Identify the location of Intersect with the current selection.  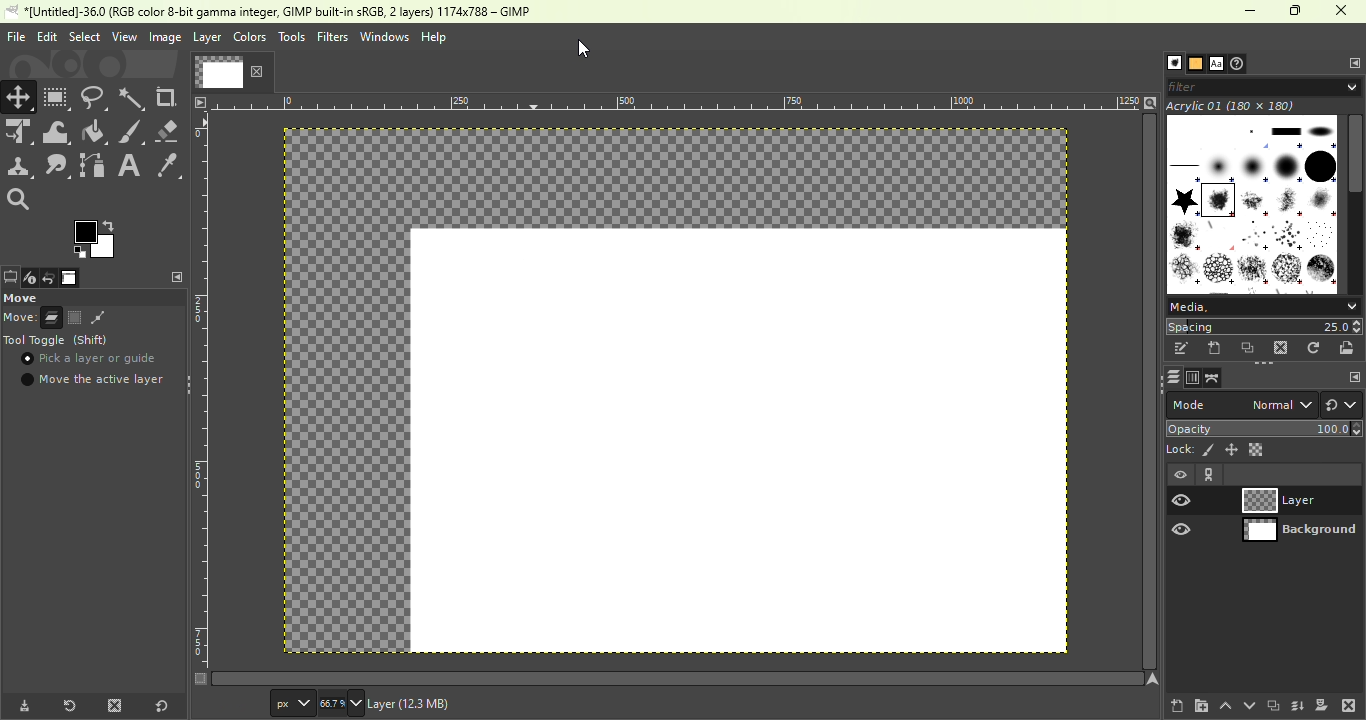
(126, 317).